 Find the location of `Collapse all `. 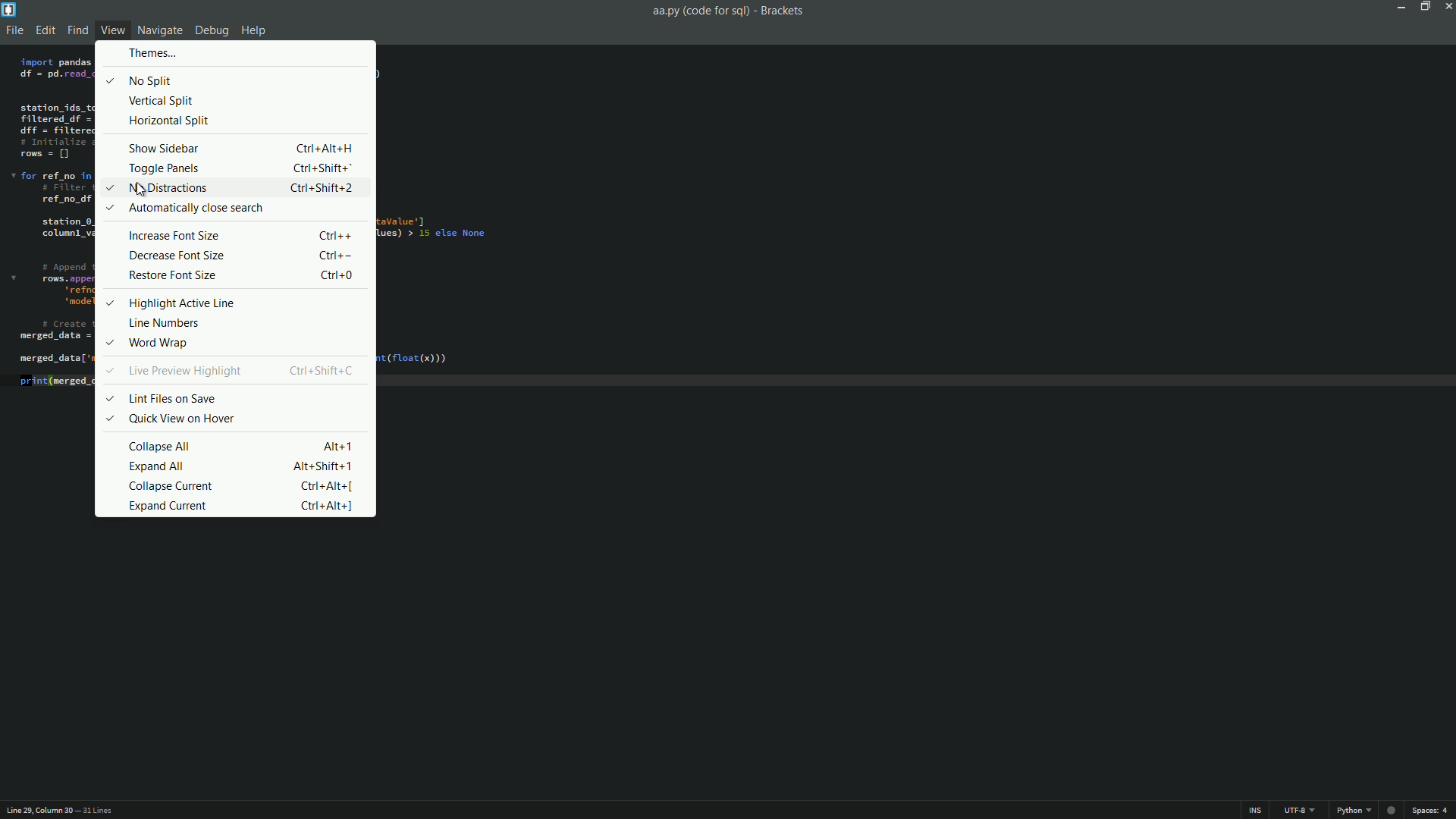

Collapse all  is located at coordinates (245, 445).